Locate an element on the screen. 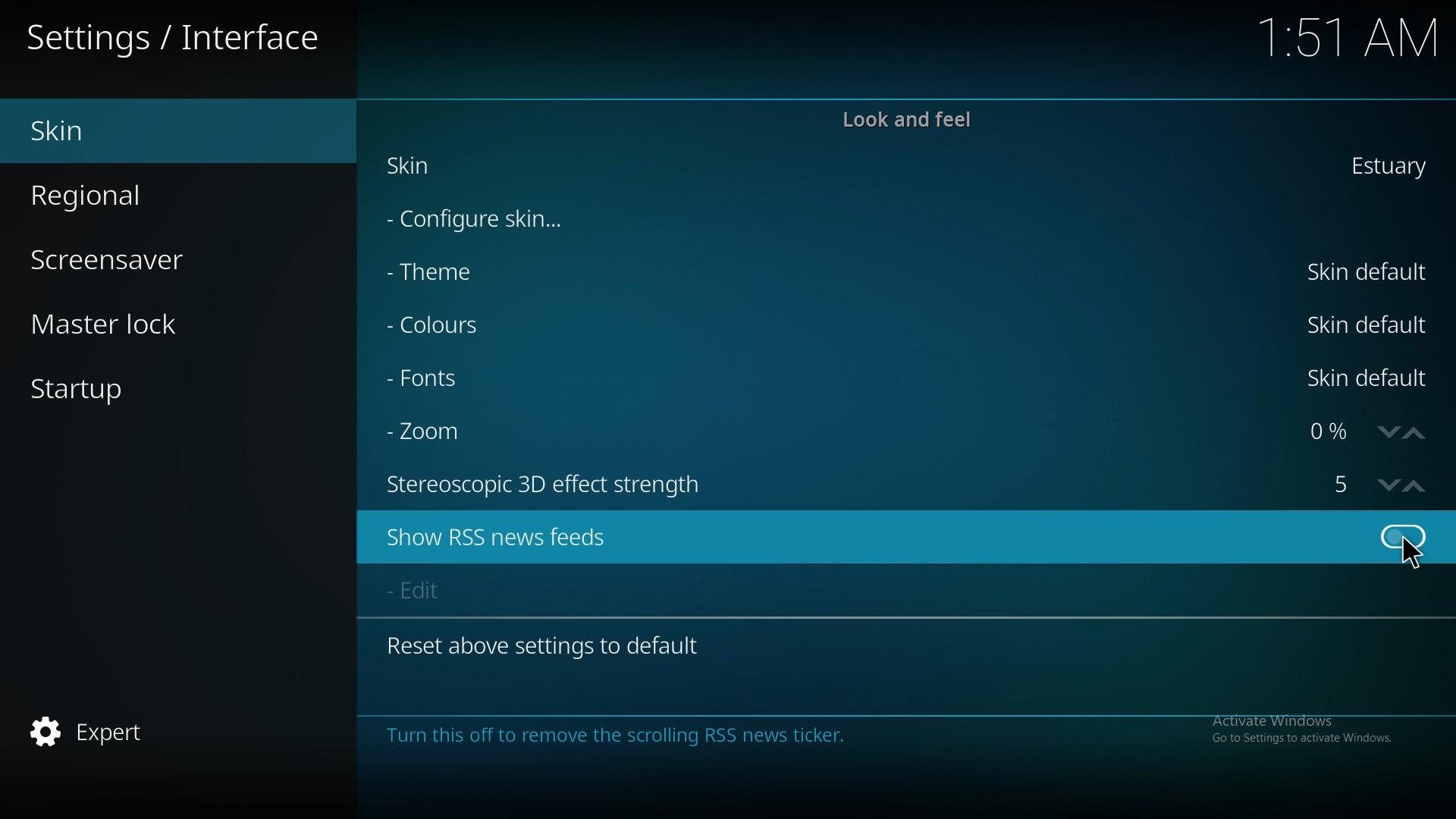 The height and width of the screenshot is (819, 1456). 125 ANY is located at coordinates (1351, 39).